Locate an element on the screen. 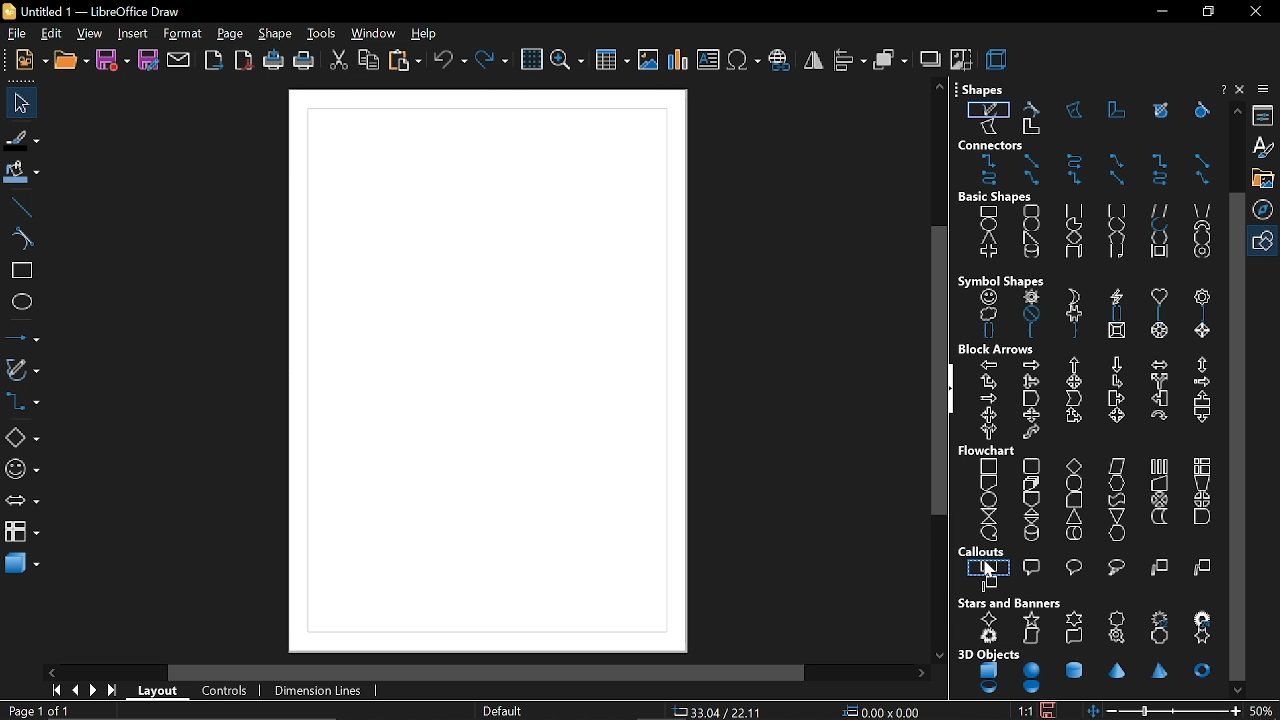  page is located at coordinates (228, 33).